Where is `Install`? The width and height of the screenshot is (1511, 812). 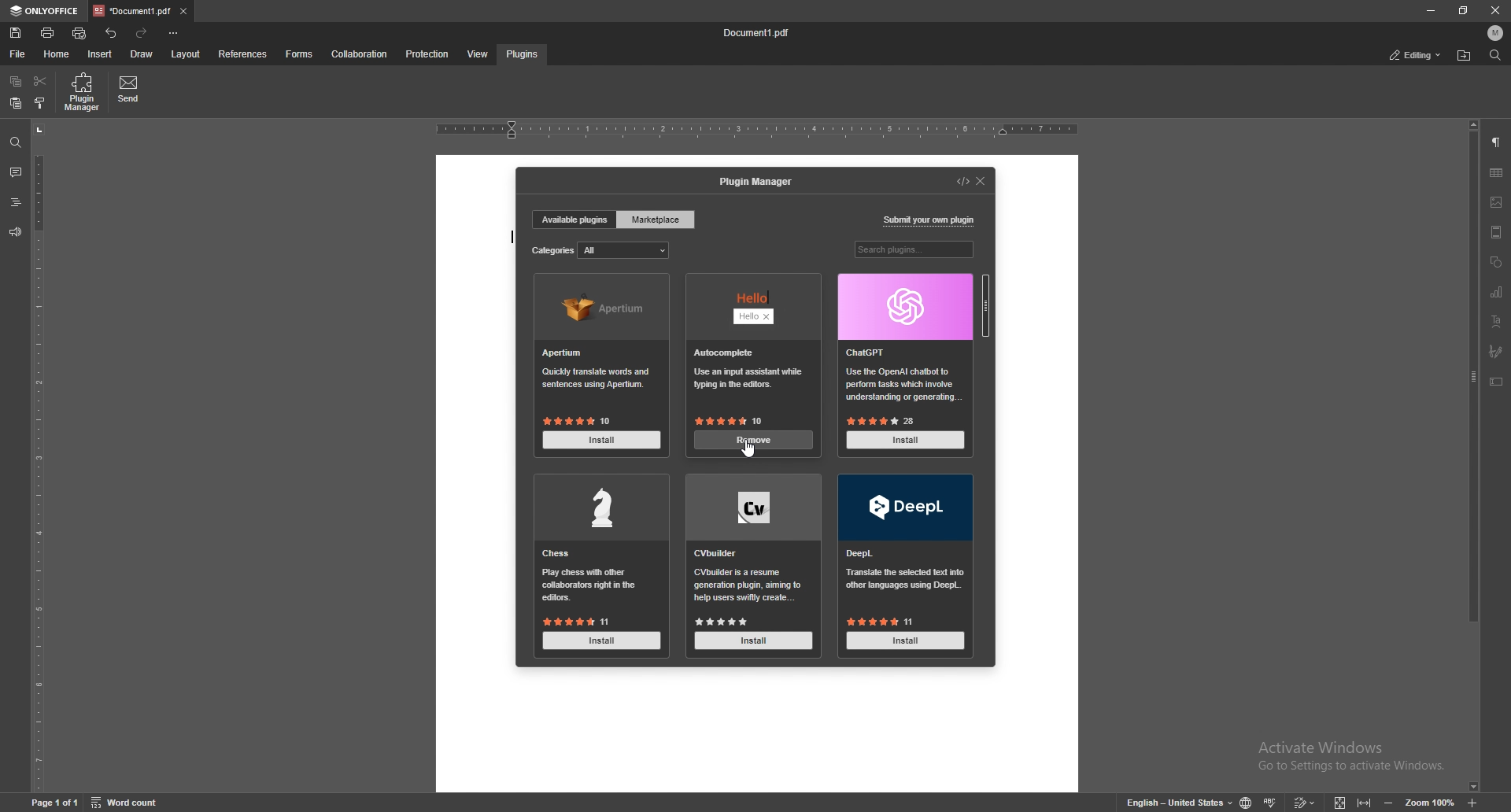 Install is located at coordinates (756, 641).